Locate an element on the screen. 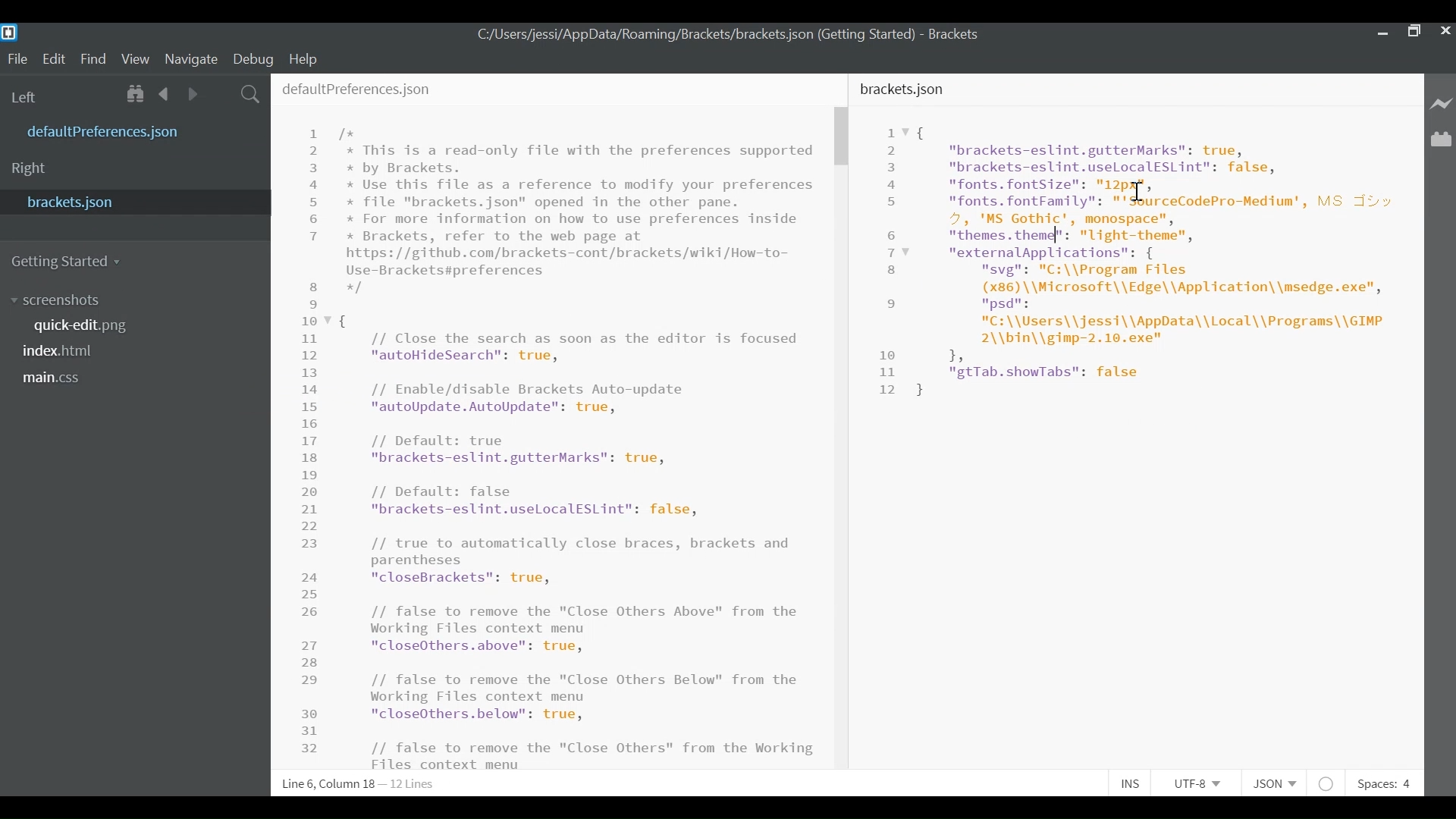 The height and width of the screenshot is (819, 1456). Brackets Desktop Icon is located at coordinates (11, 32).